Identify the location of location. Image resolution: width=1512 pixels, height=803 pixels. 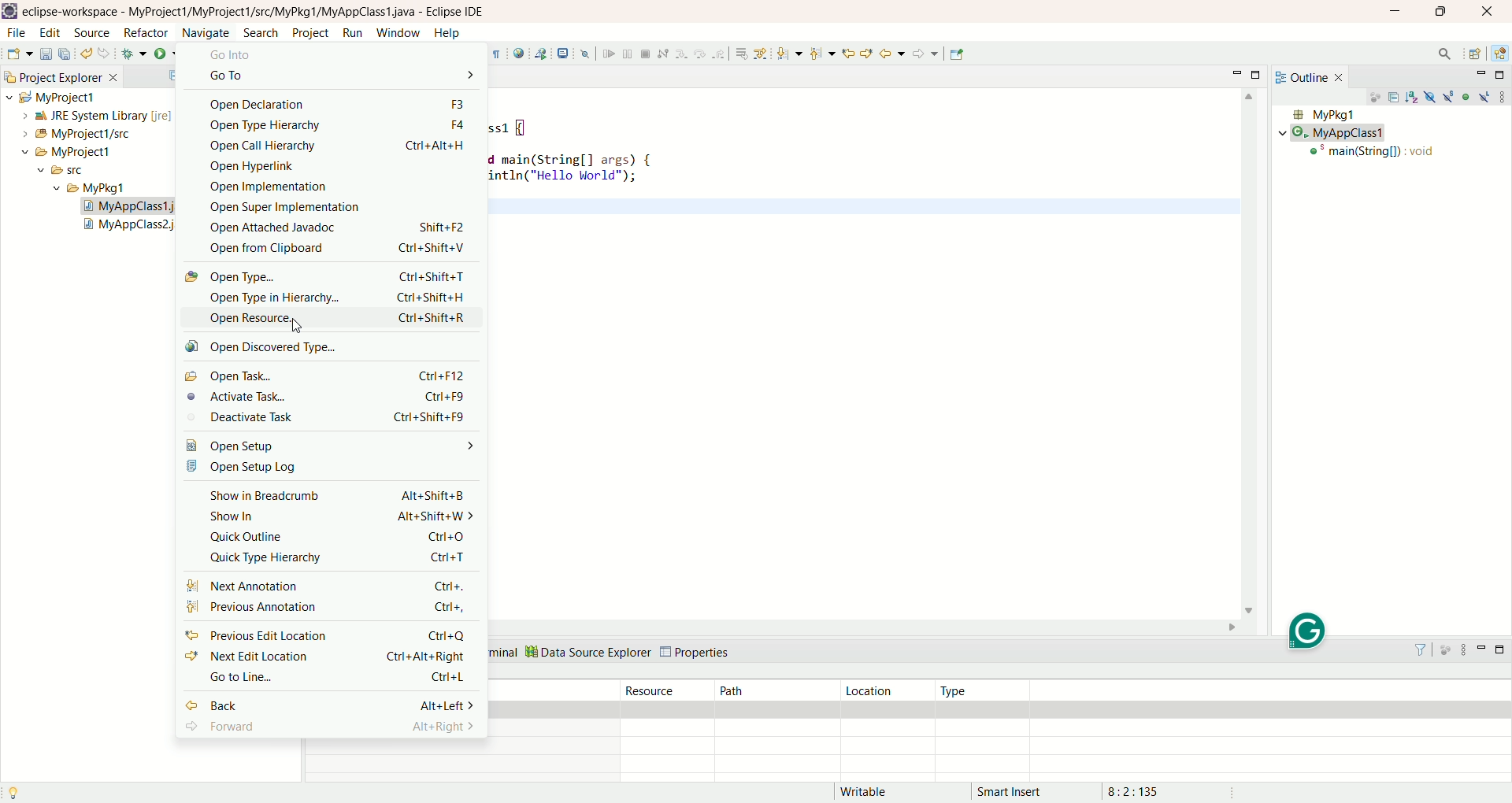
(887, 690).